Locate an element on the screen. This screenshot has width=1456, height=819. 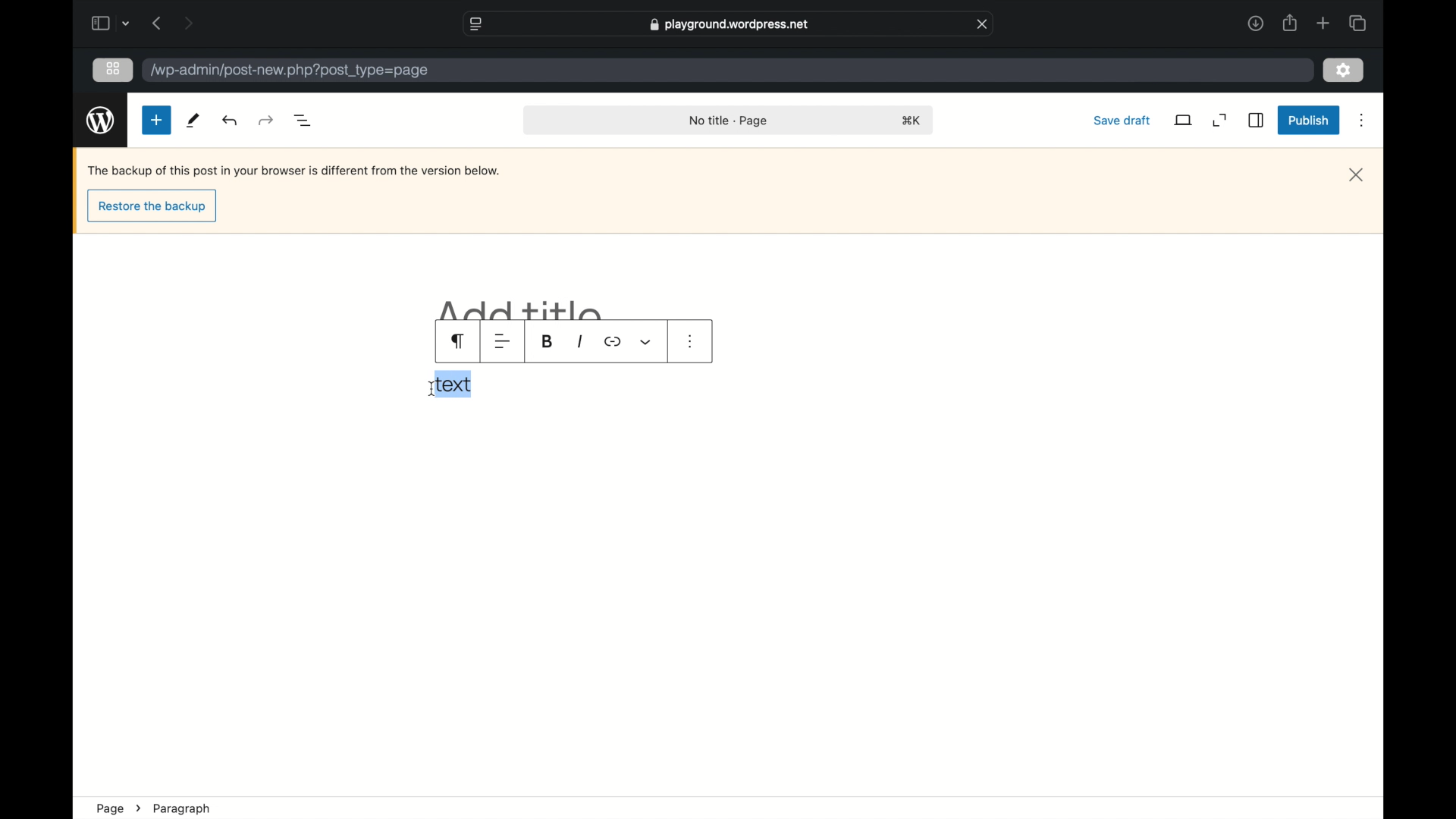
downloads is located at coordinates (1256, 23).